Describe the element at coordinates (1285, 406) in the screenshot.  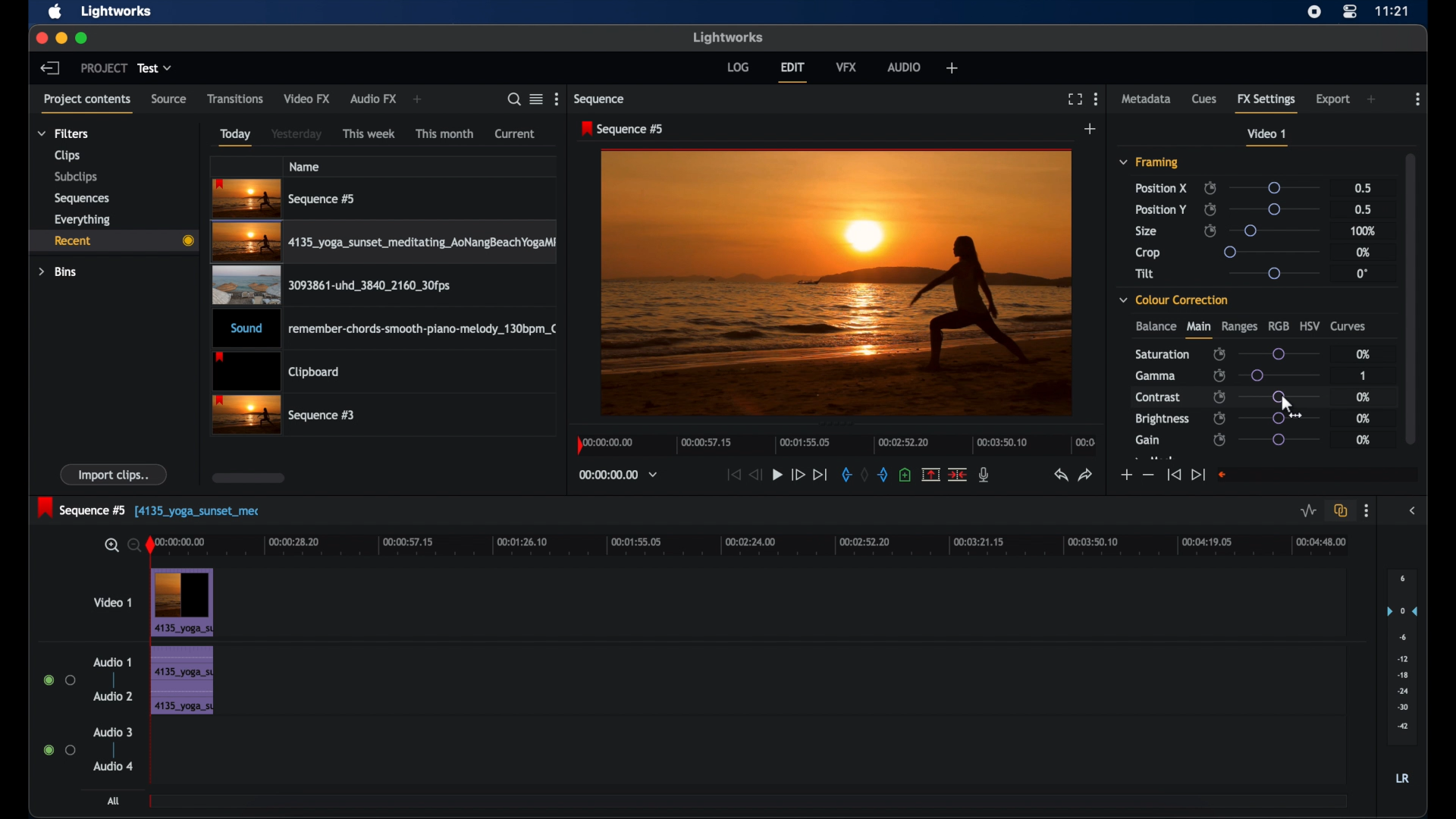
I see `cursor` at that location.